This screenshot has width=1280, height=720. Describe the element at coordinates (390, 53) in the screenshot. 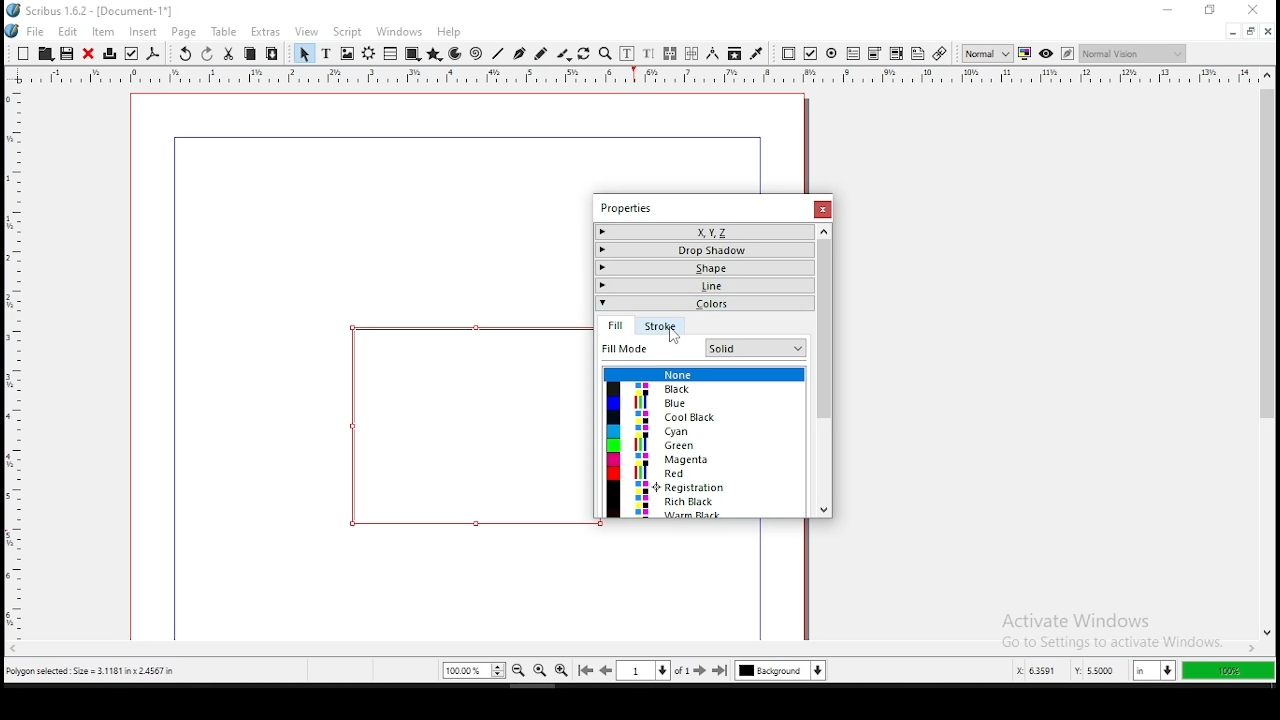

I see `table` at that location.